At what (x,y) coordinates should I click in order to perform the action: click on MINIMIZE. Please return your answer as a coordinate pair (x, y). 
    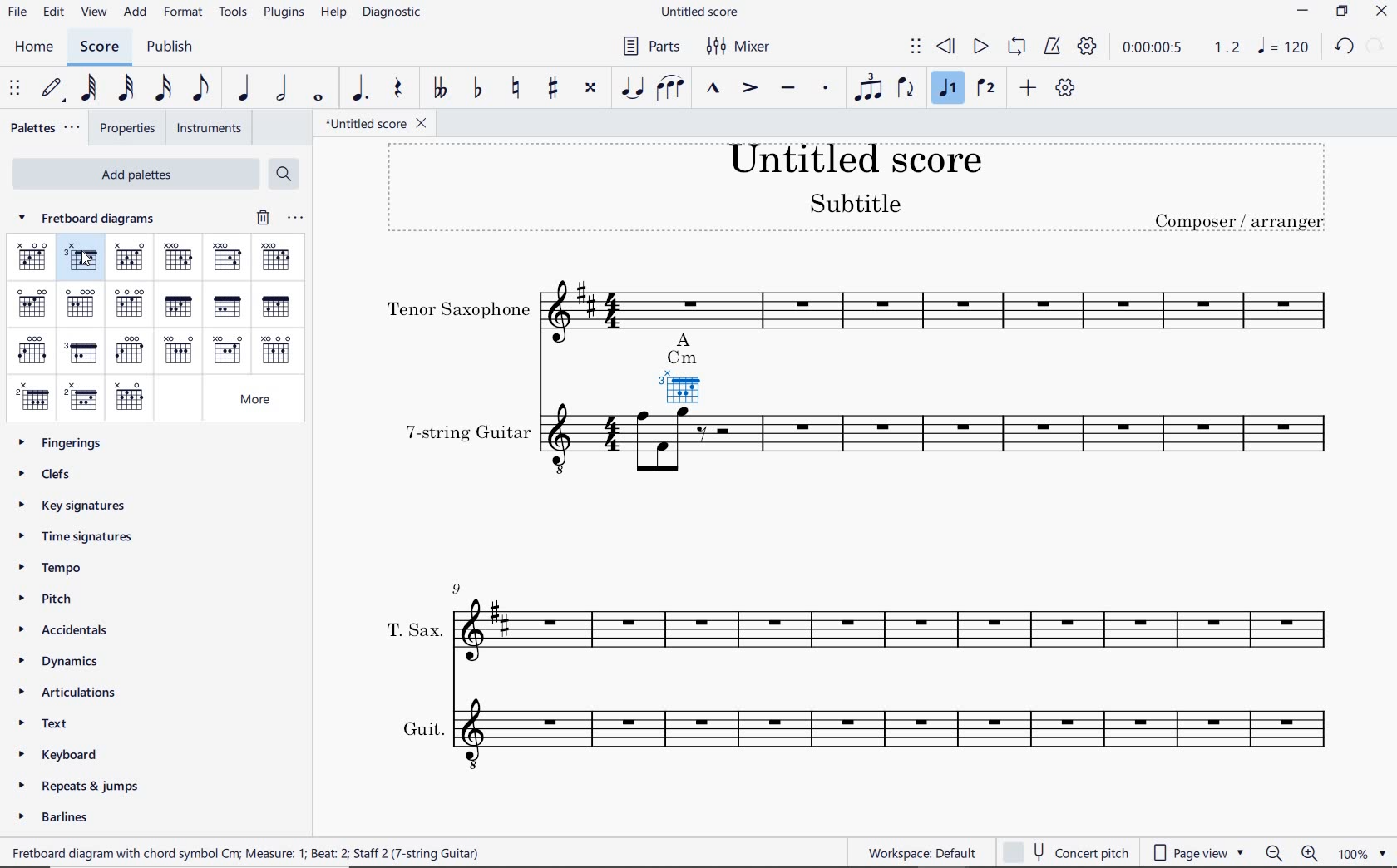
    Looking at the image, I should click on (1301, 12).